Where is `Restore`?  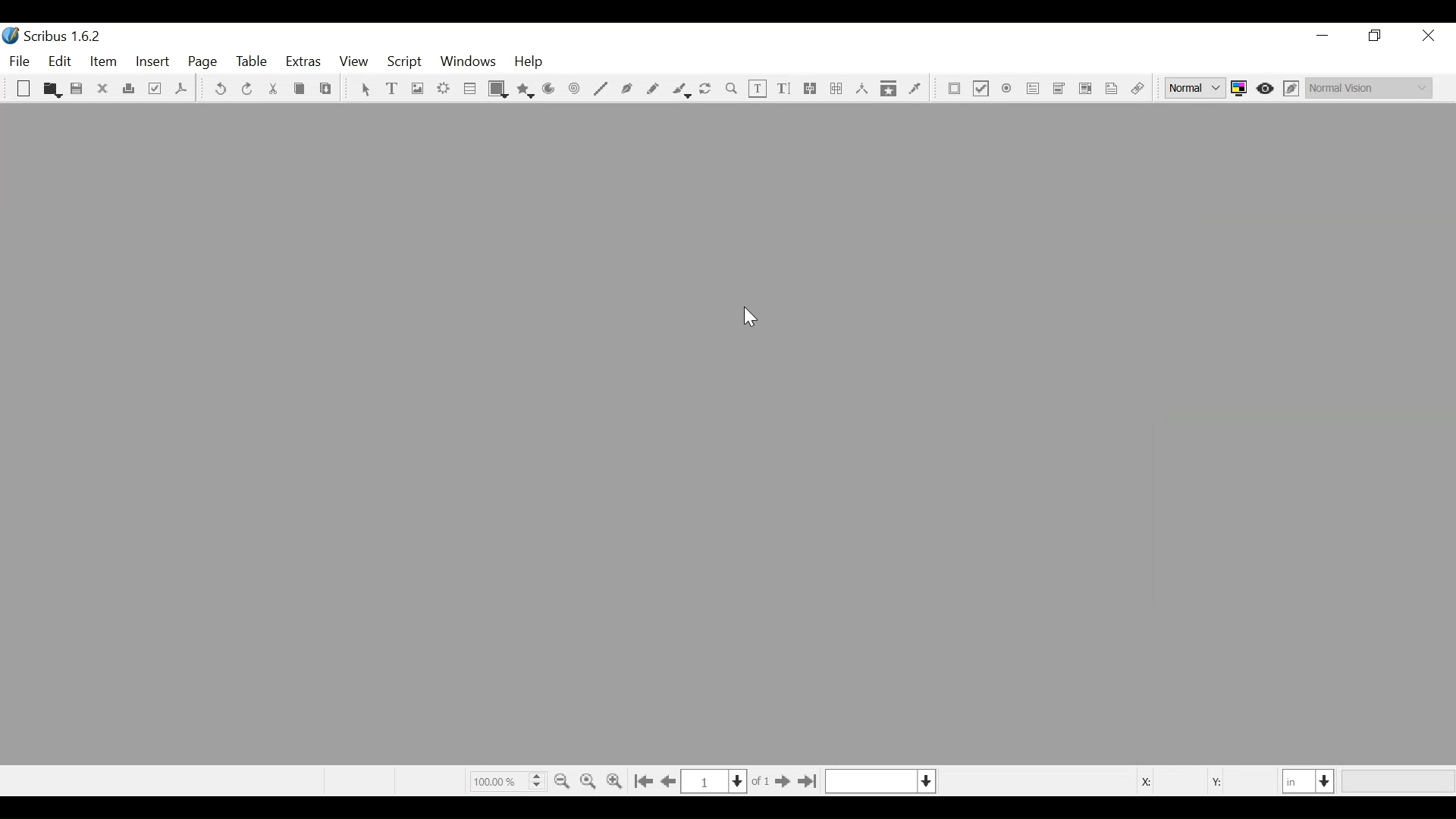
Restore is located at coordinates (1376, 36).